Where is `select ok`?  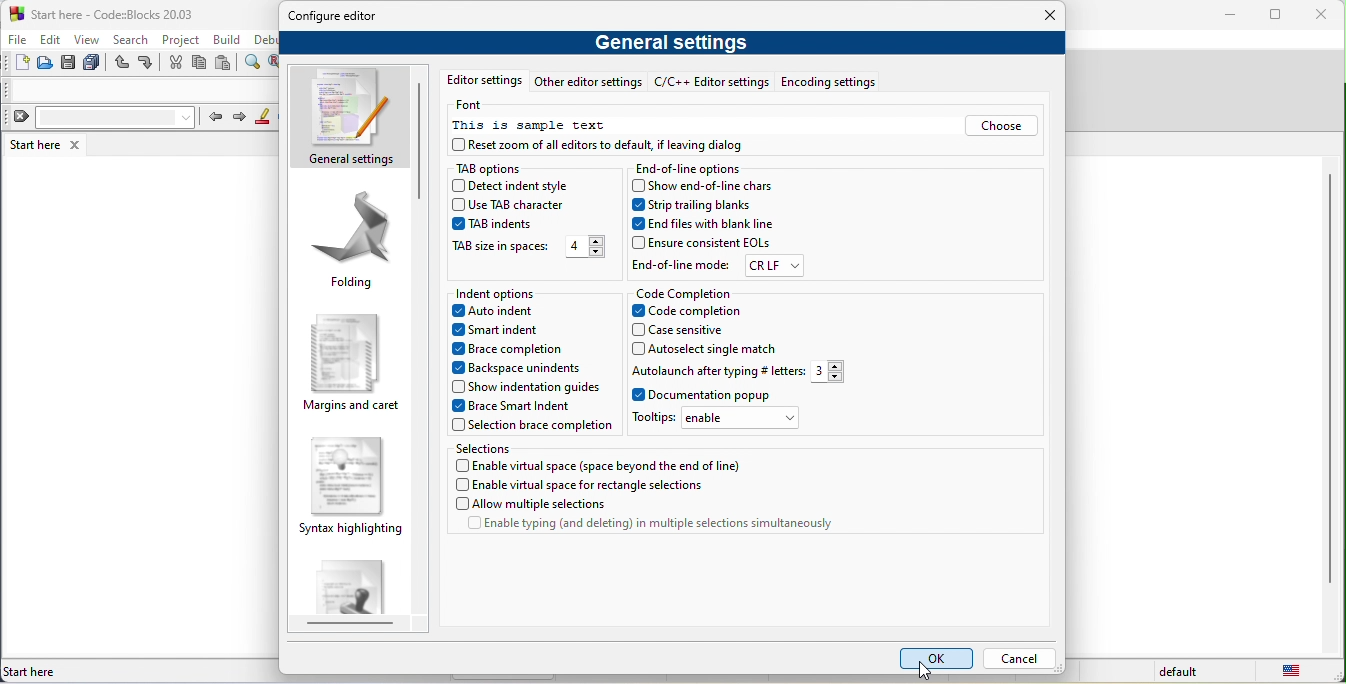
select ok is located at coordinates (932, 658).